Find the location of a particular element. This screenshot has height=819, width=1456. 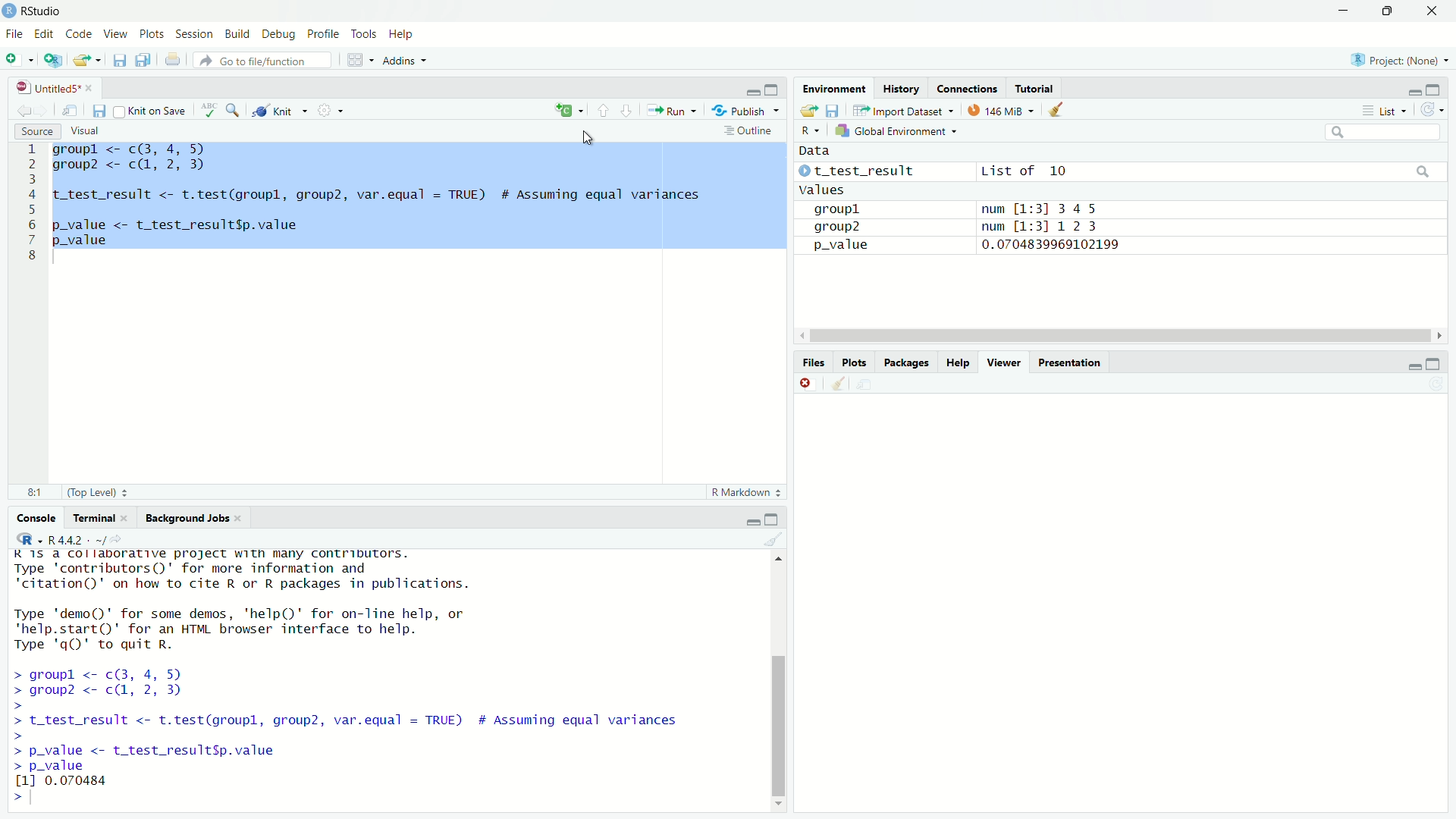

(Top Level) = is located at coordinates (93, 492).